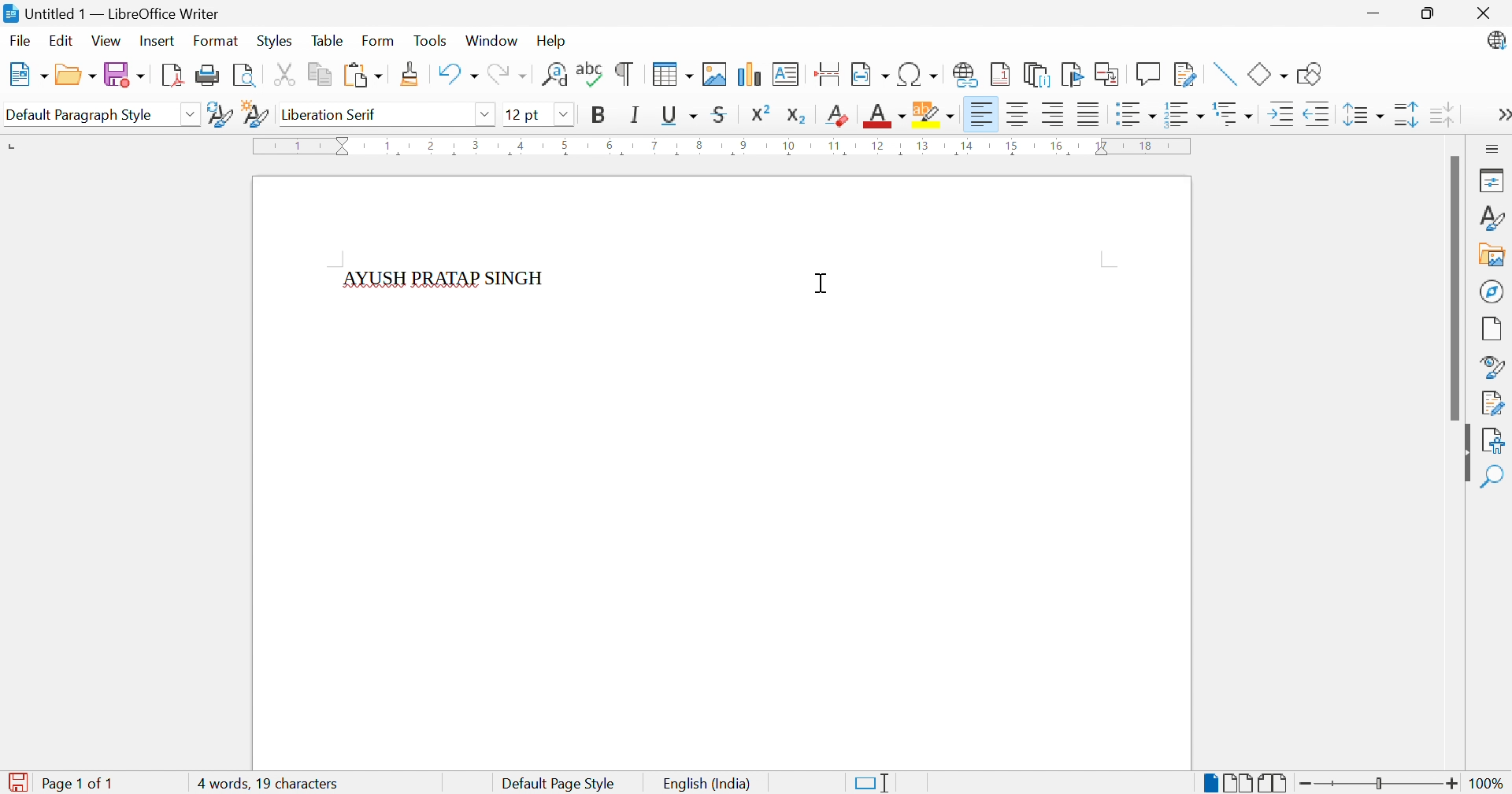 The image size is (1512, 794). What do you see at coordinates (1147, 73) in the screenshot?
I see `Insert Comment` at bounding box center [1147, 73].